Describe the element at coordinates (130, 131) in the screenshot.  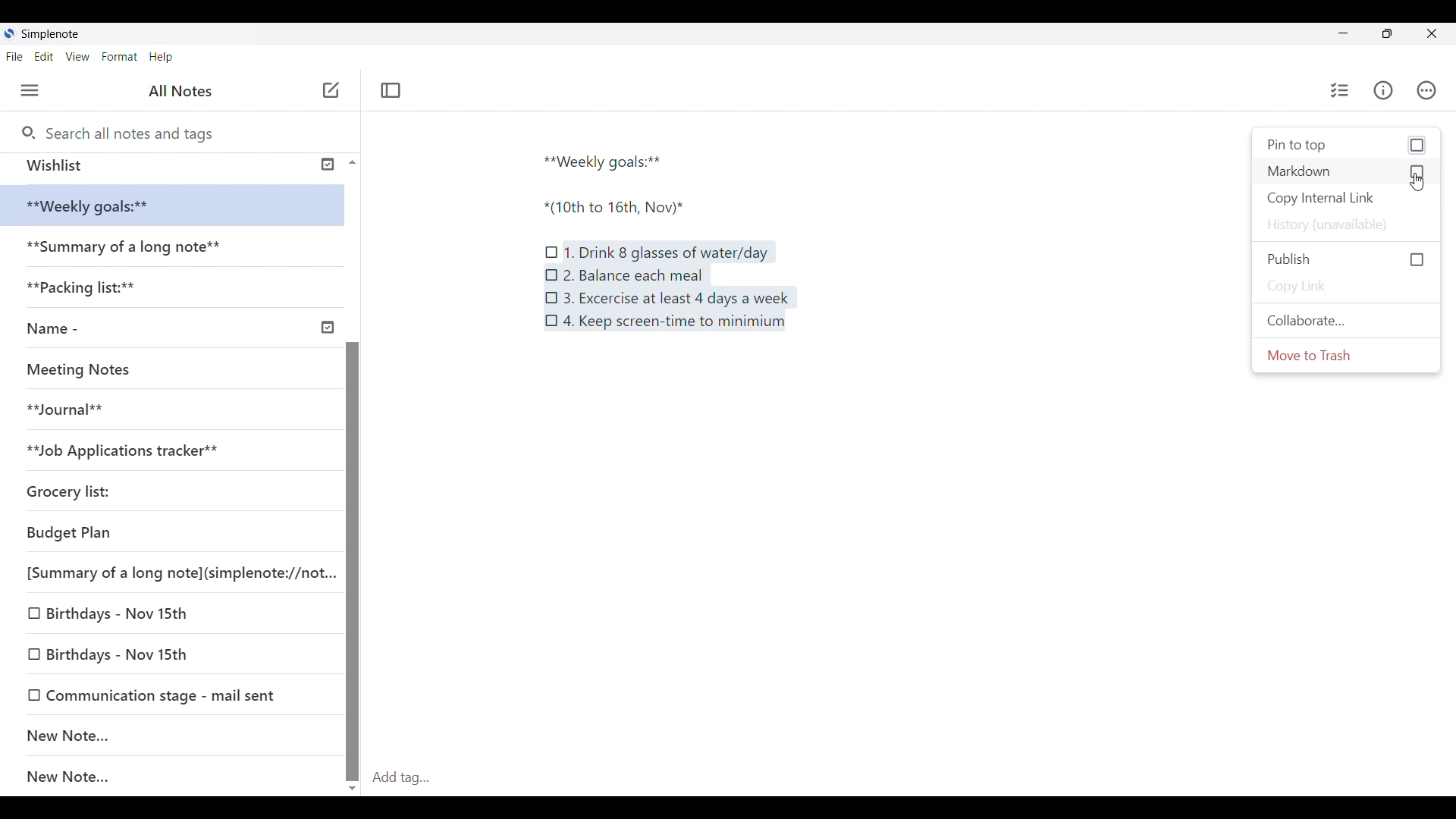
I see `Search all notes and tags` at that location.